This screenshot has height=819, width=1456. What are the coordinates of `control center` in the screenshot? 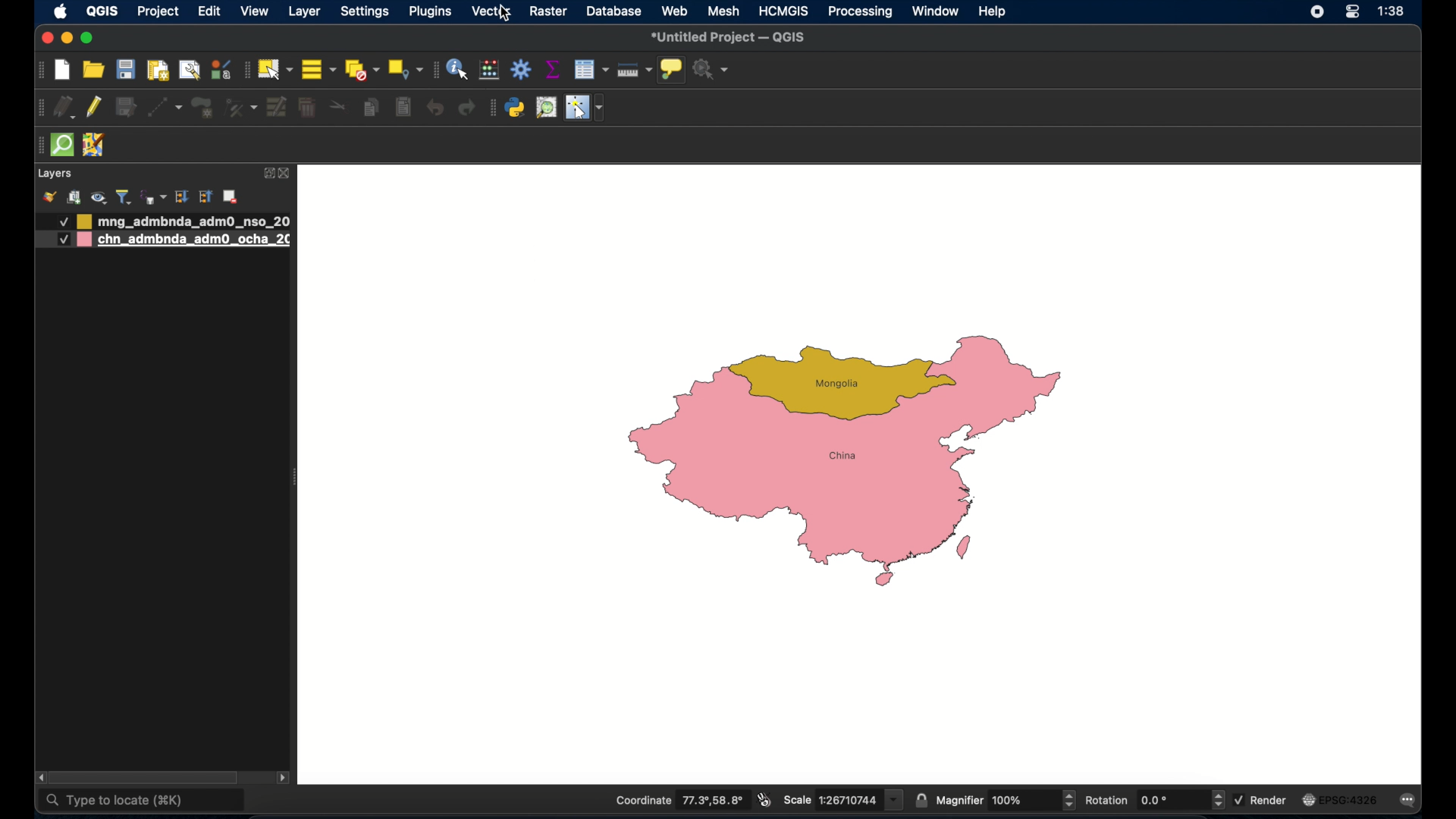 It's located at (1353, 11).